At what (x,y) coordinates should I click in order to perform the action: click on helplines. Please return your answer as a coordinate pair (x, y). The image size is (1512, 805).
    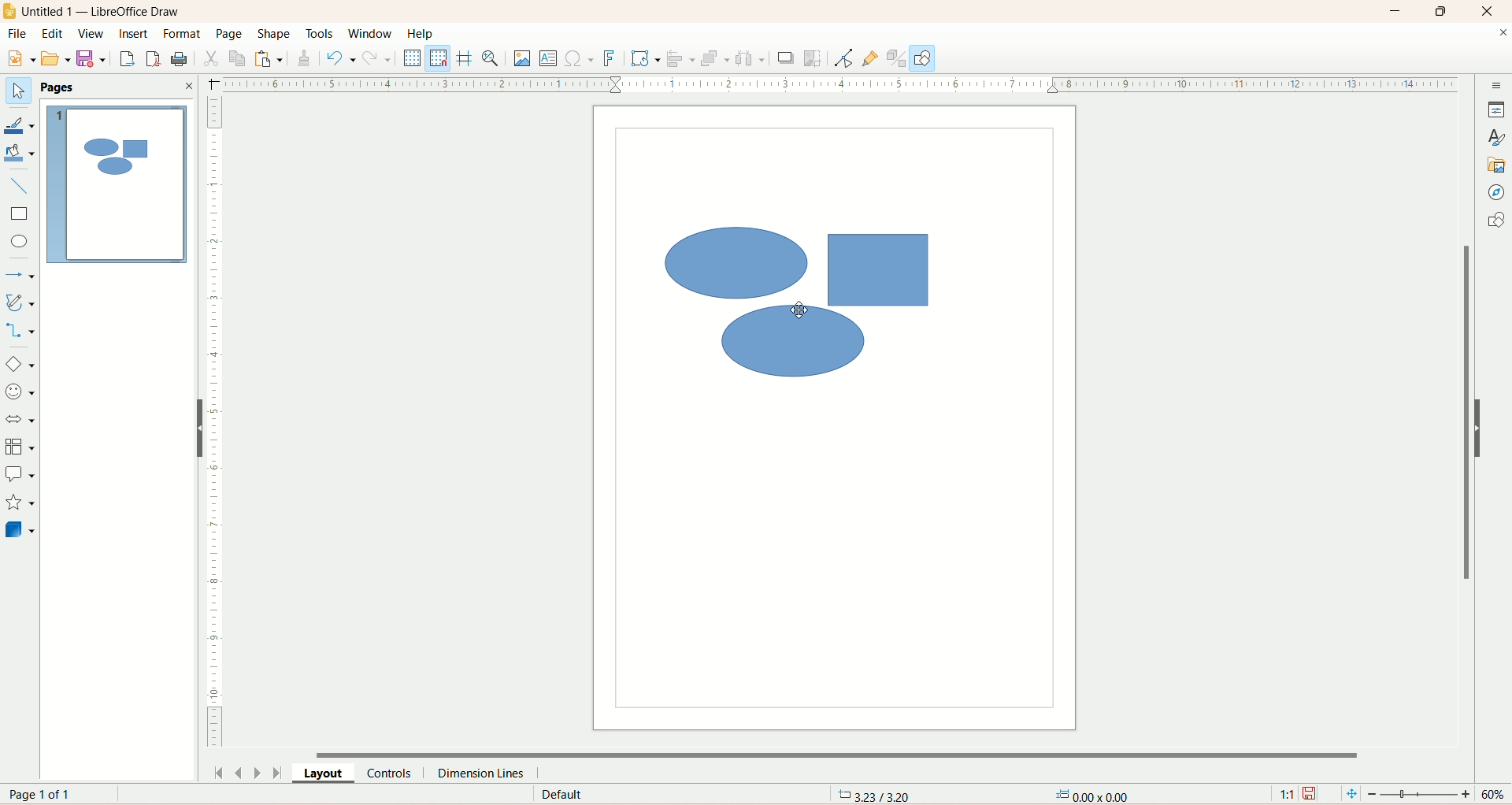
    Looking at the image, I should click on (465, 59).